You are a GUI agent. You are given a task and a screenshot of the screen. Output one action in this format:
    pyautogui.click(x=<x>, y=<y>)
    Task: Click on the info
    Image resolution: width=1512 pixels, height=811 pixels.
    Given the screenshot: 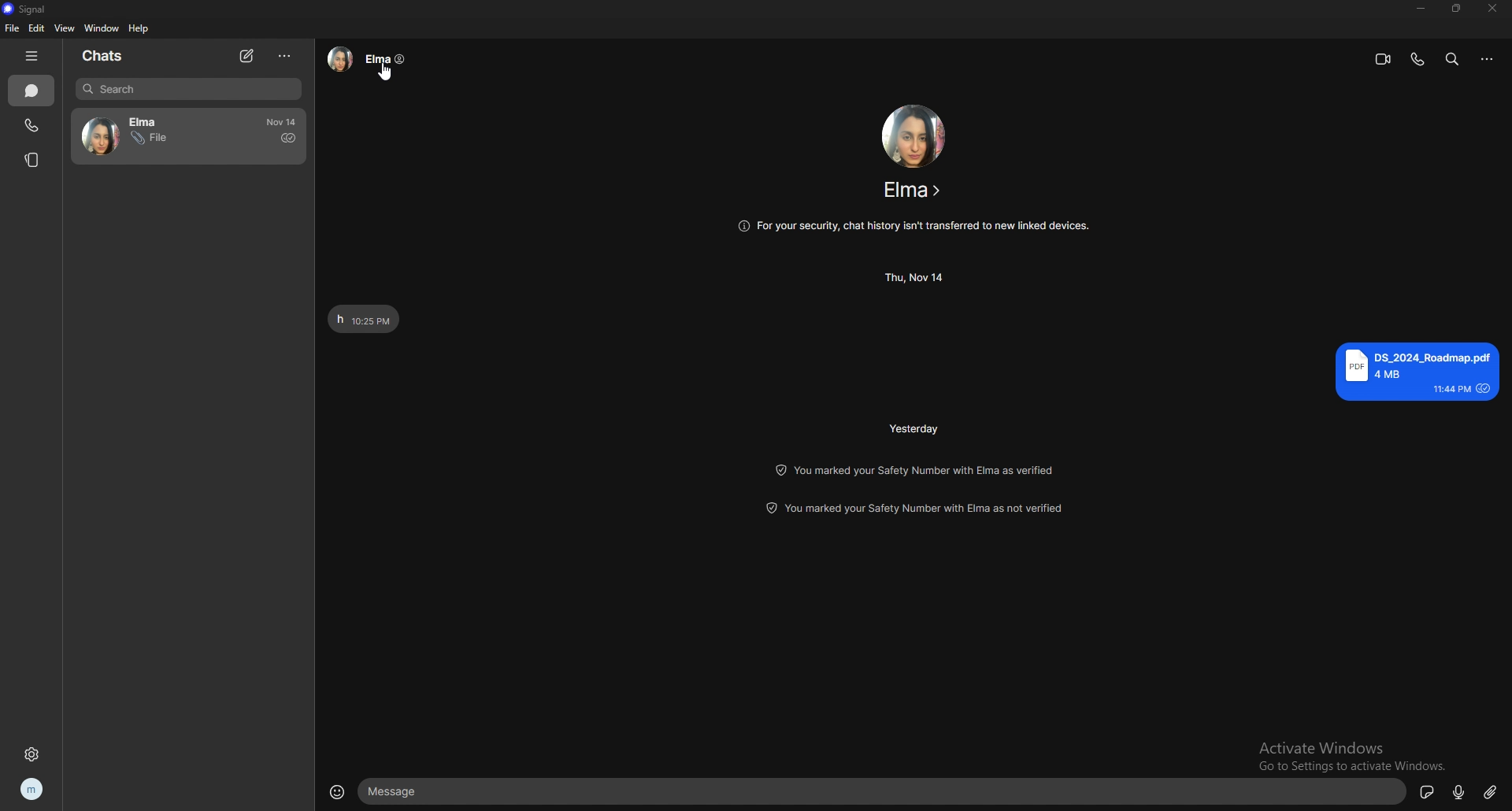 What is the action you would take?
    pyautogui.click(x=369, y=59)
    